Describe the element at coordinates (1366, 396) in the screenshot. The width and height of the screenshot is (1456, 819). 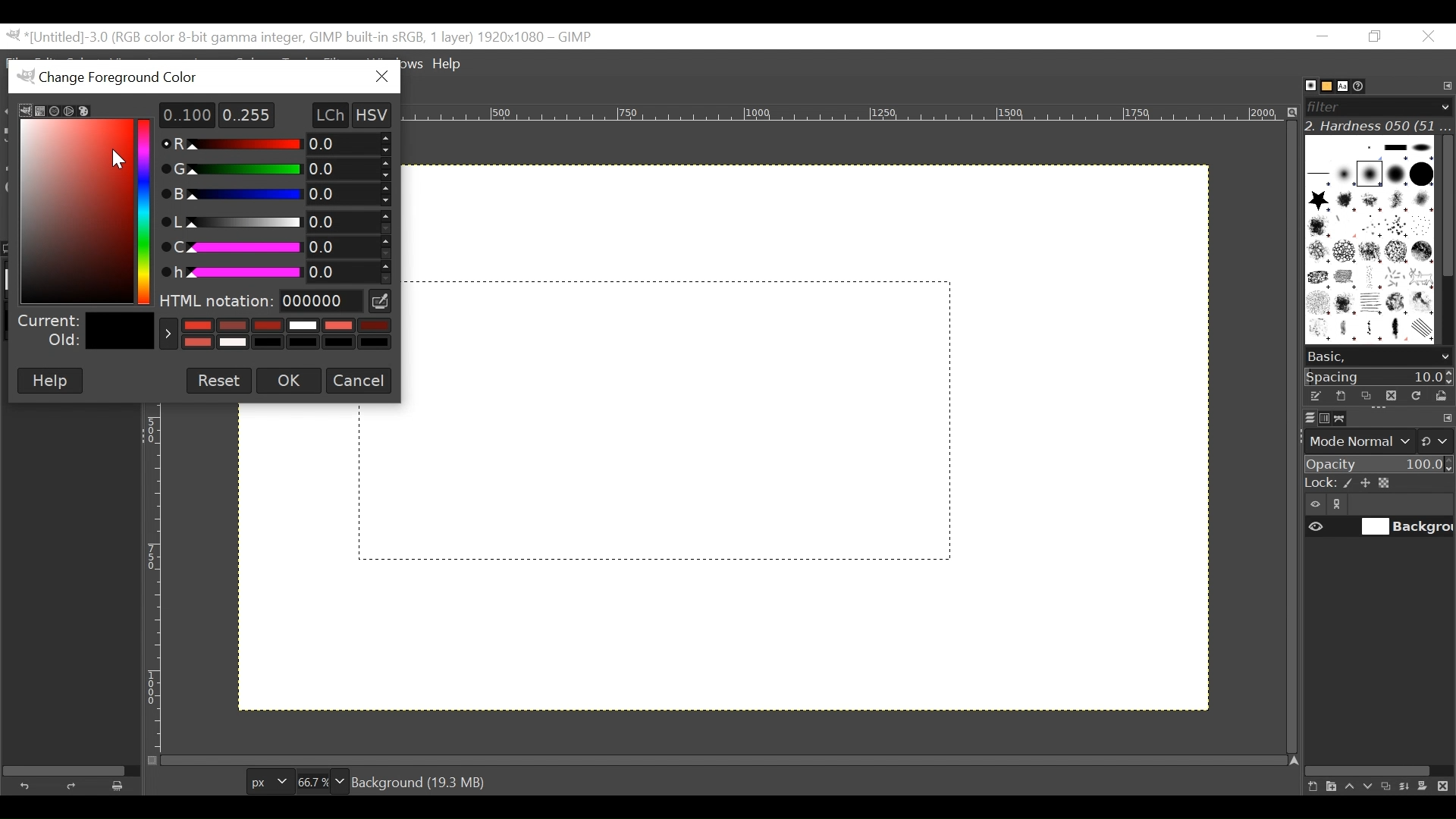
I see `Duplicate brush` at that location.